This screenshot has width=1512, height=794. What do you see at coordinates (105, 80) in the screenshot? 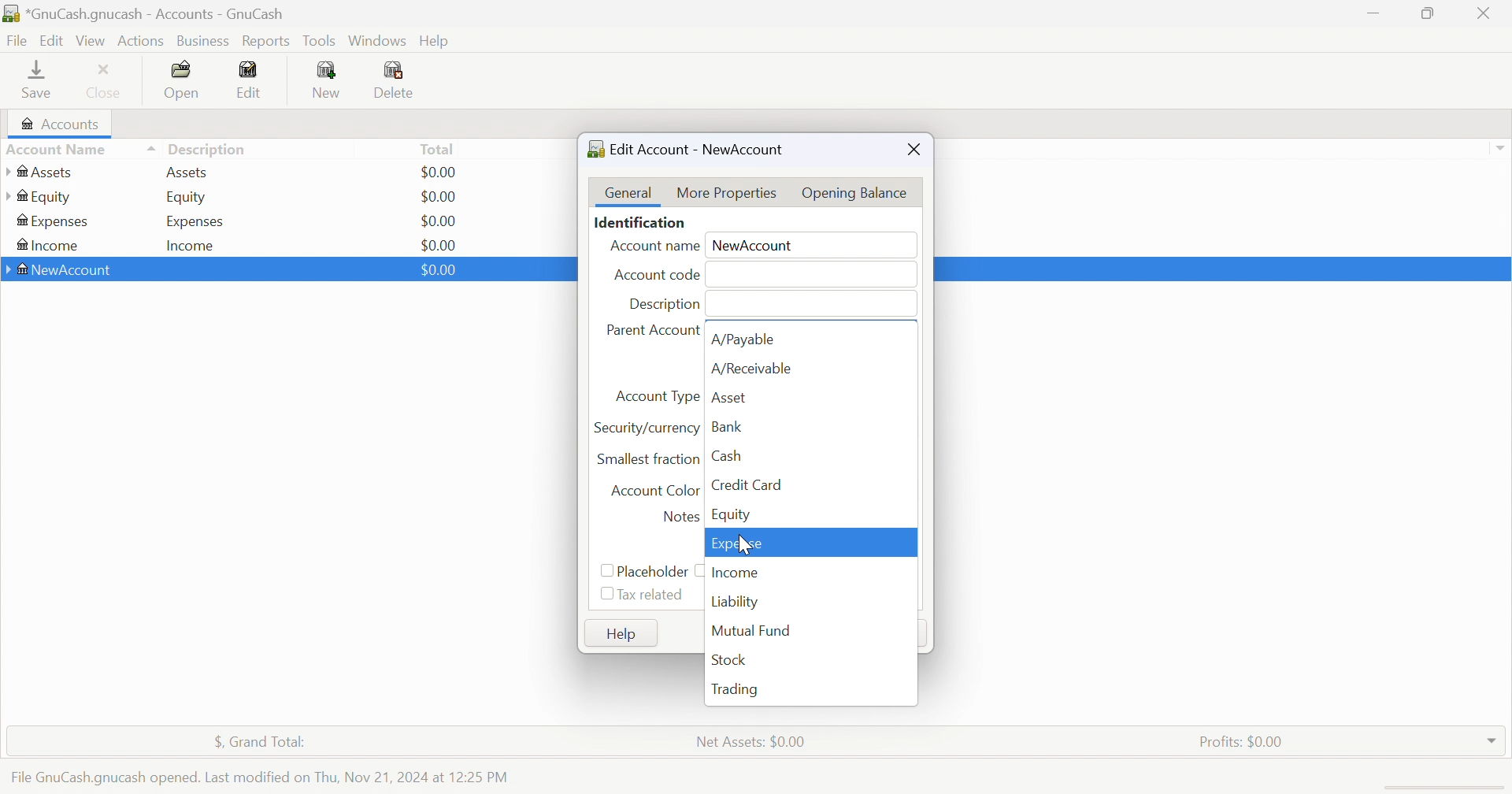
I see `Close` at bounding box center [105, 80].